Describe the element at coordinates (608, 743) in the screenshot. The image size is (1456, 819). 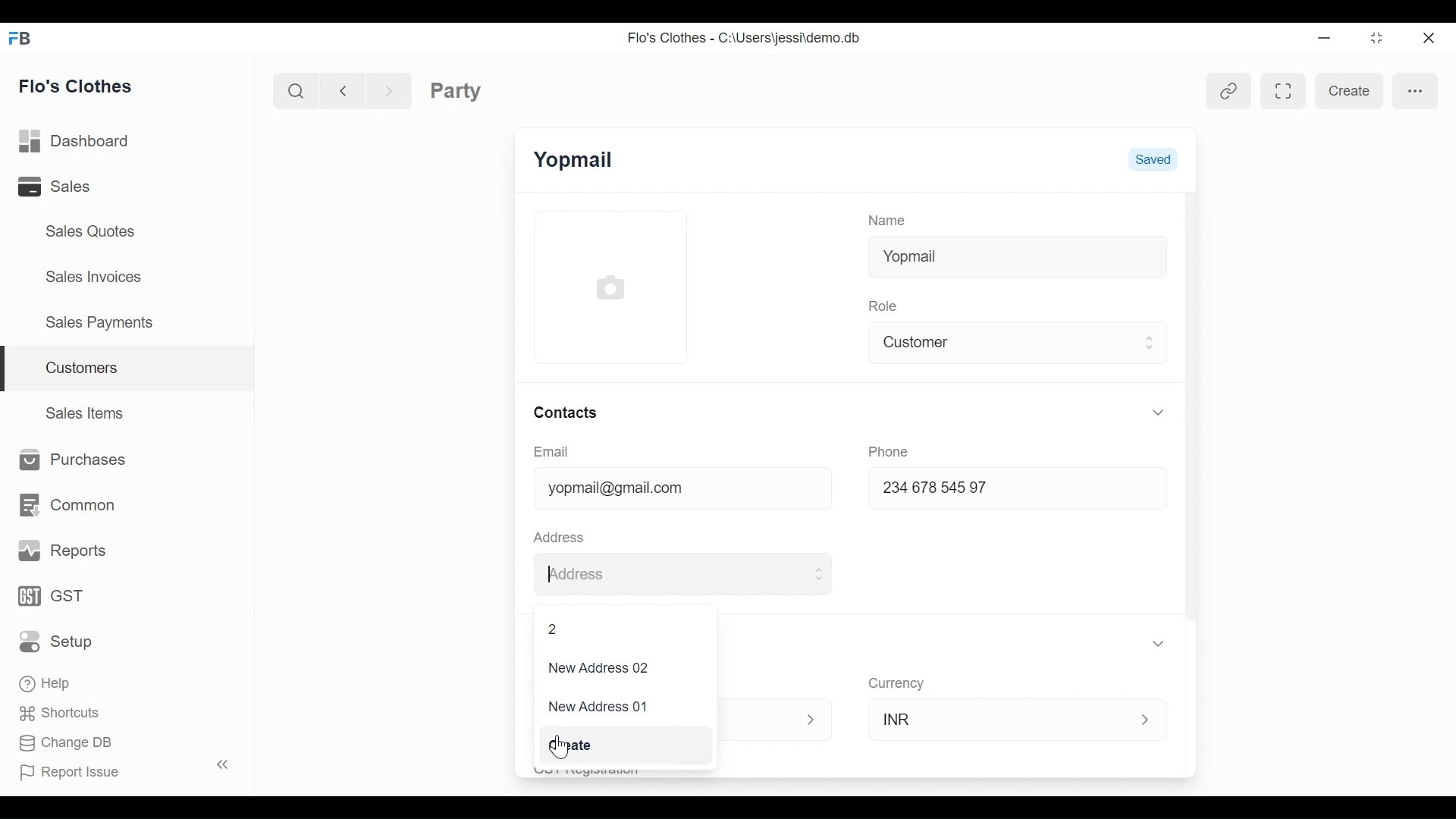
I see `Create` at that location.